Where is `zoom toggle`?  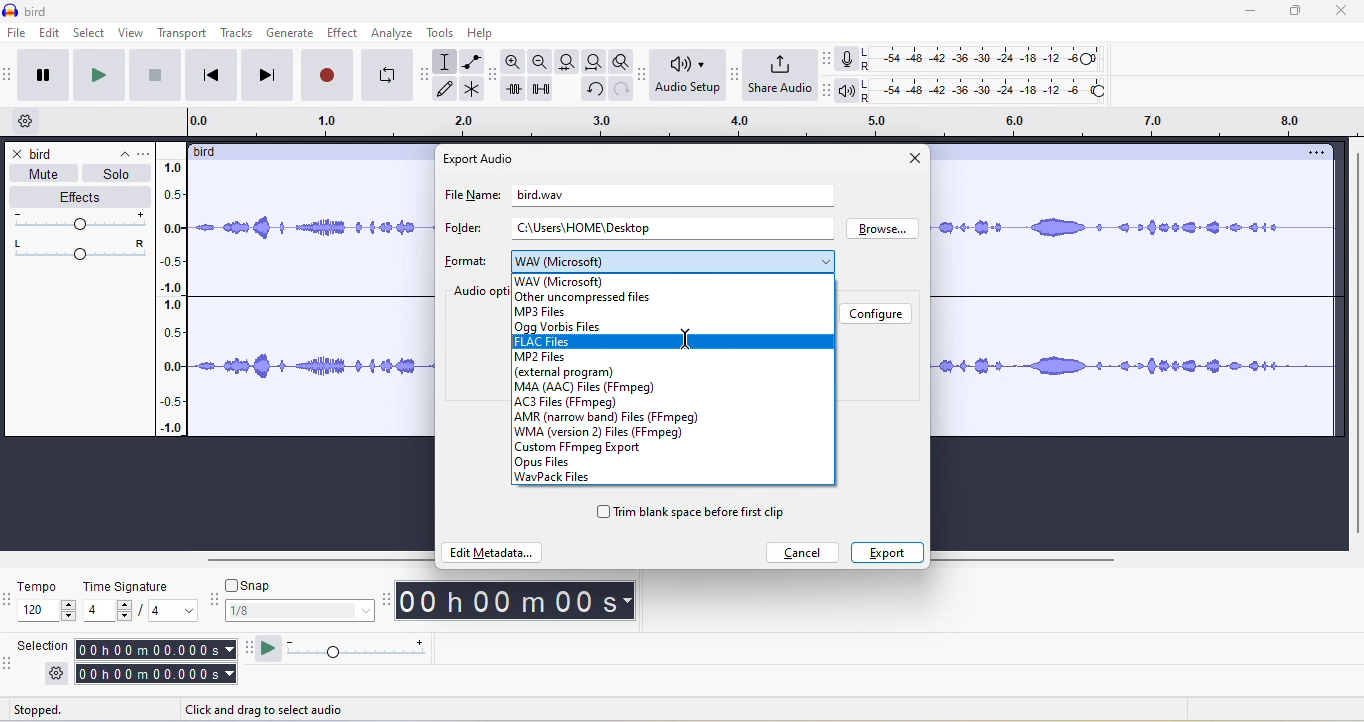 zoom toggle is located at coordinates (615, 64).